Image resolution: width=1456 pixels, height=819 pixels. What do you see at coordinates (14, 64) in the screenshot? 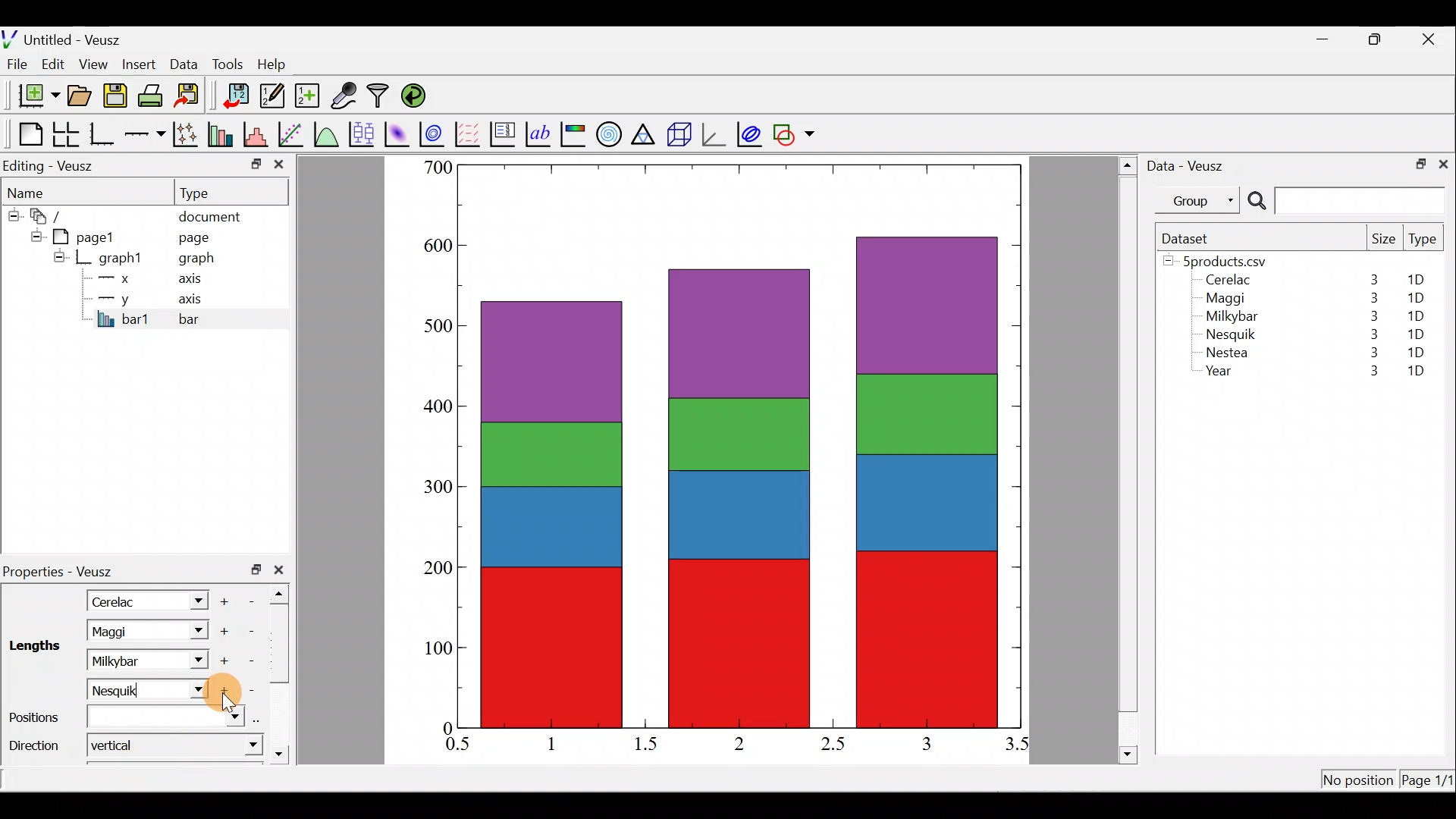
I see `File` at bounding box center [14, 64].